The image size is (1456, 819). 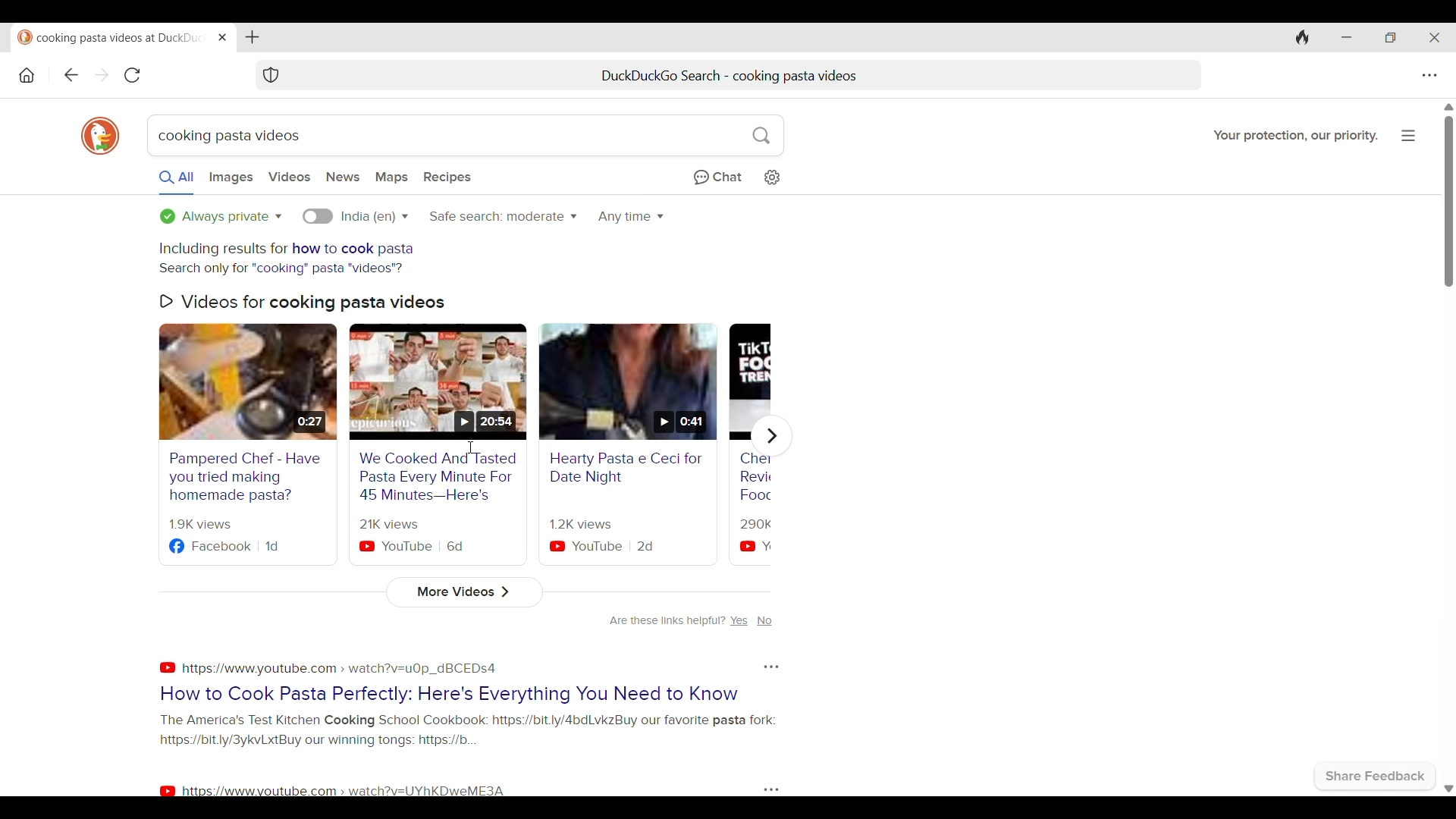 What do you see at coordinates (465, 136) in the screenshot?
I see `Current search` at bounding box center [465, 136].